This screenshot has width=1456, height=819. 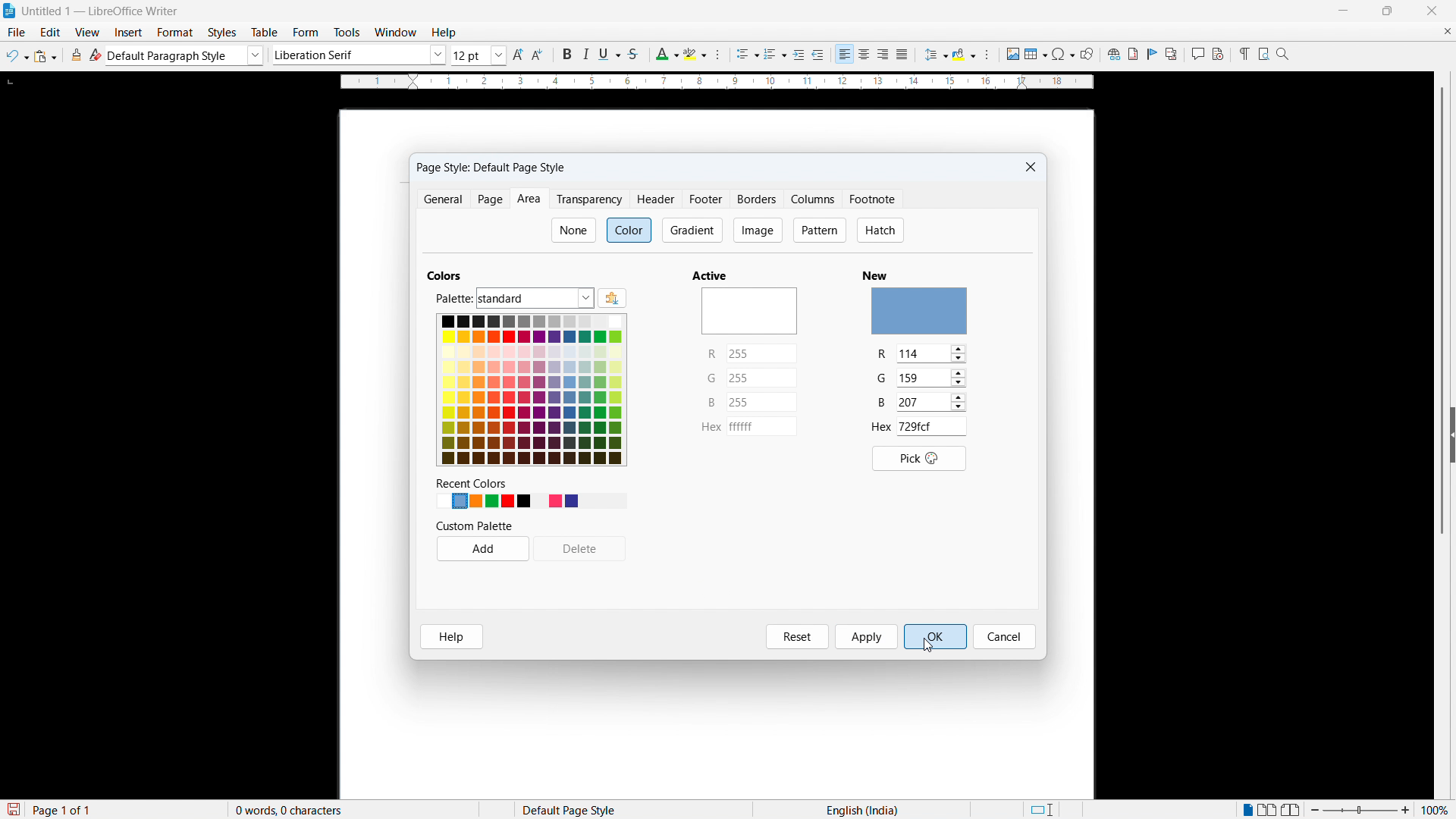 What do you see at coordinates (306, 33) in the screenshot?
I see `form ` at bounding box center [306, 33].